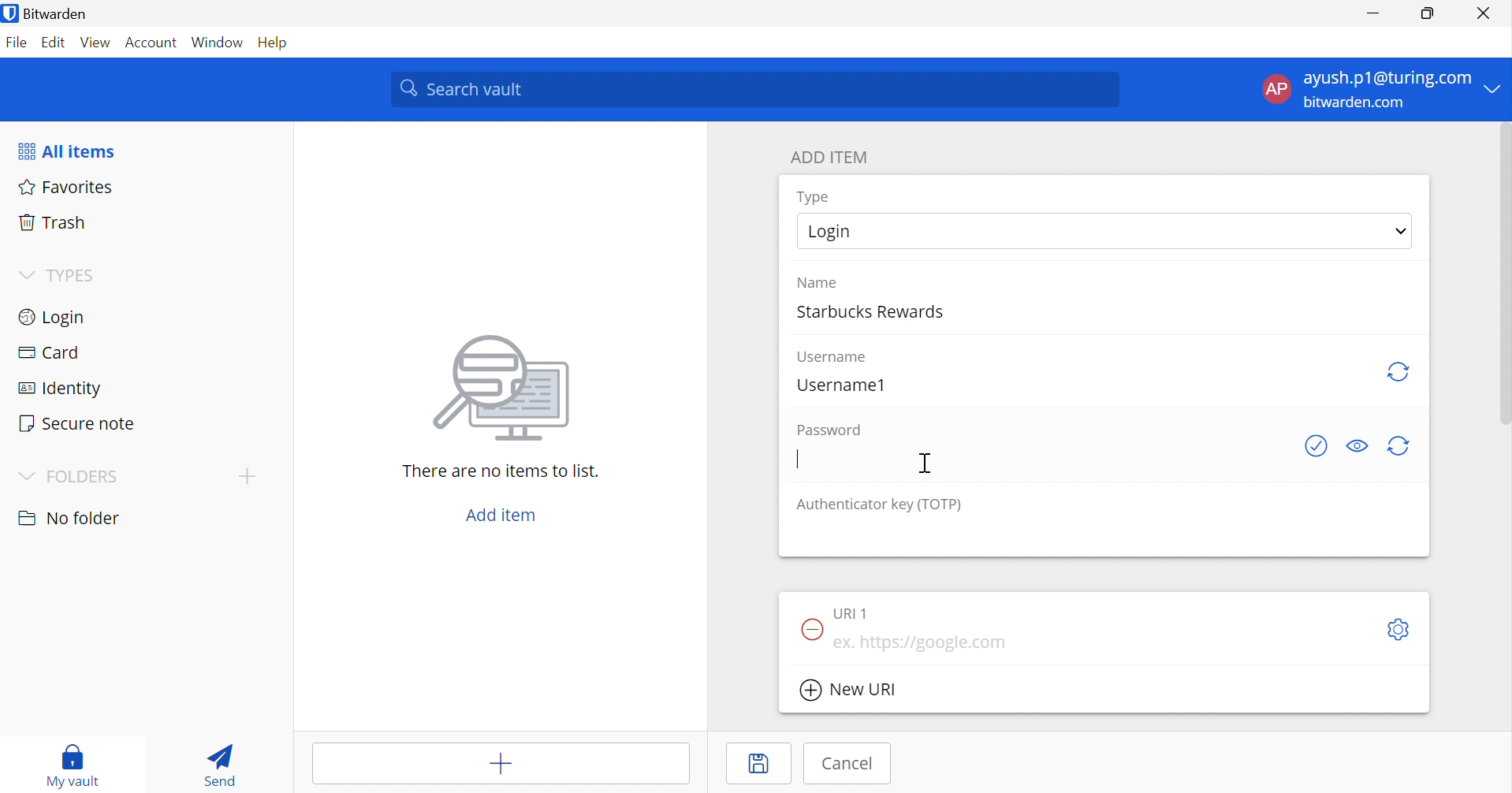 This screenshot has height=793, width=1512. What do you see at coordinates (55, 44) in the screenshot?
I see `Edit` at bounding box center [55, 44].